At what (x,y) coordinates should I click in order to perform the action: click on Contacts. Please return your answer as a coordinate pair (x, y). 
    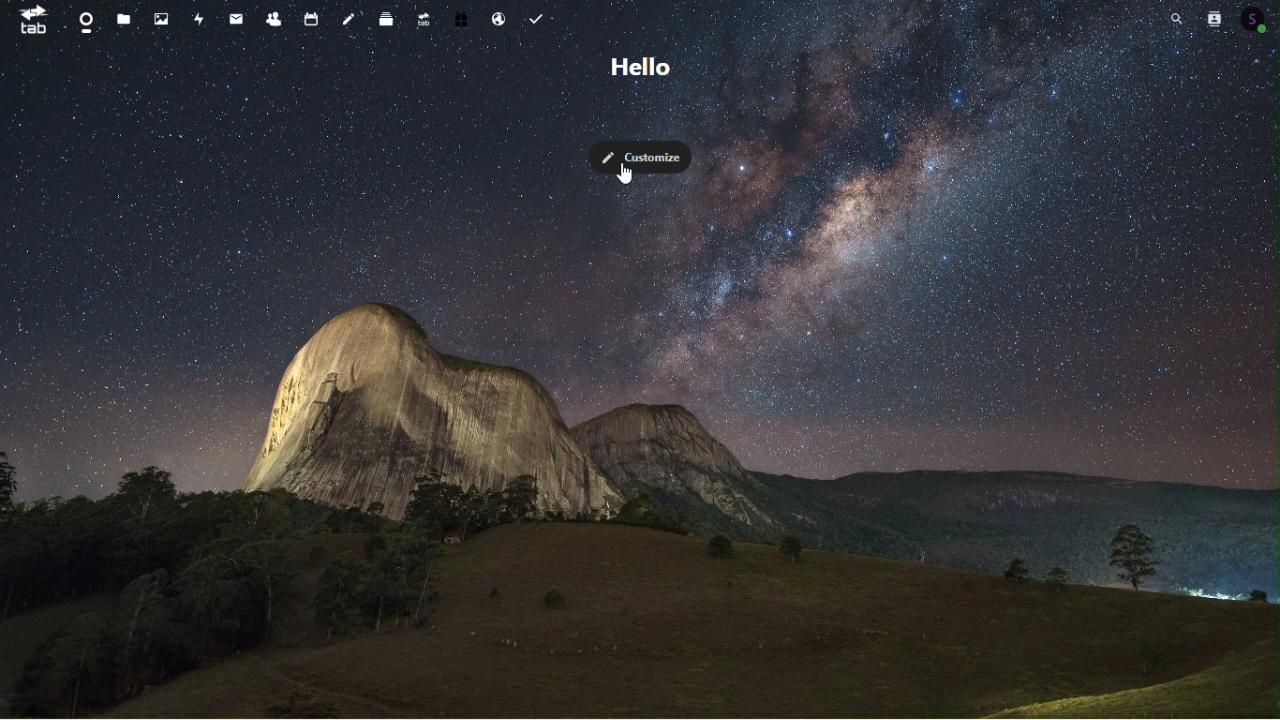
    Looking at the image, I should click on (276, 19).